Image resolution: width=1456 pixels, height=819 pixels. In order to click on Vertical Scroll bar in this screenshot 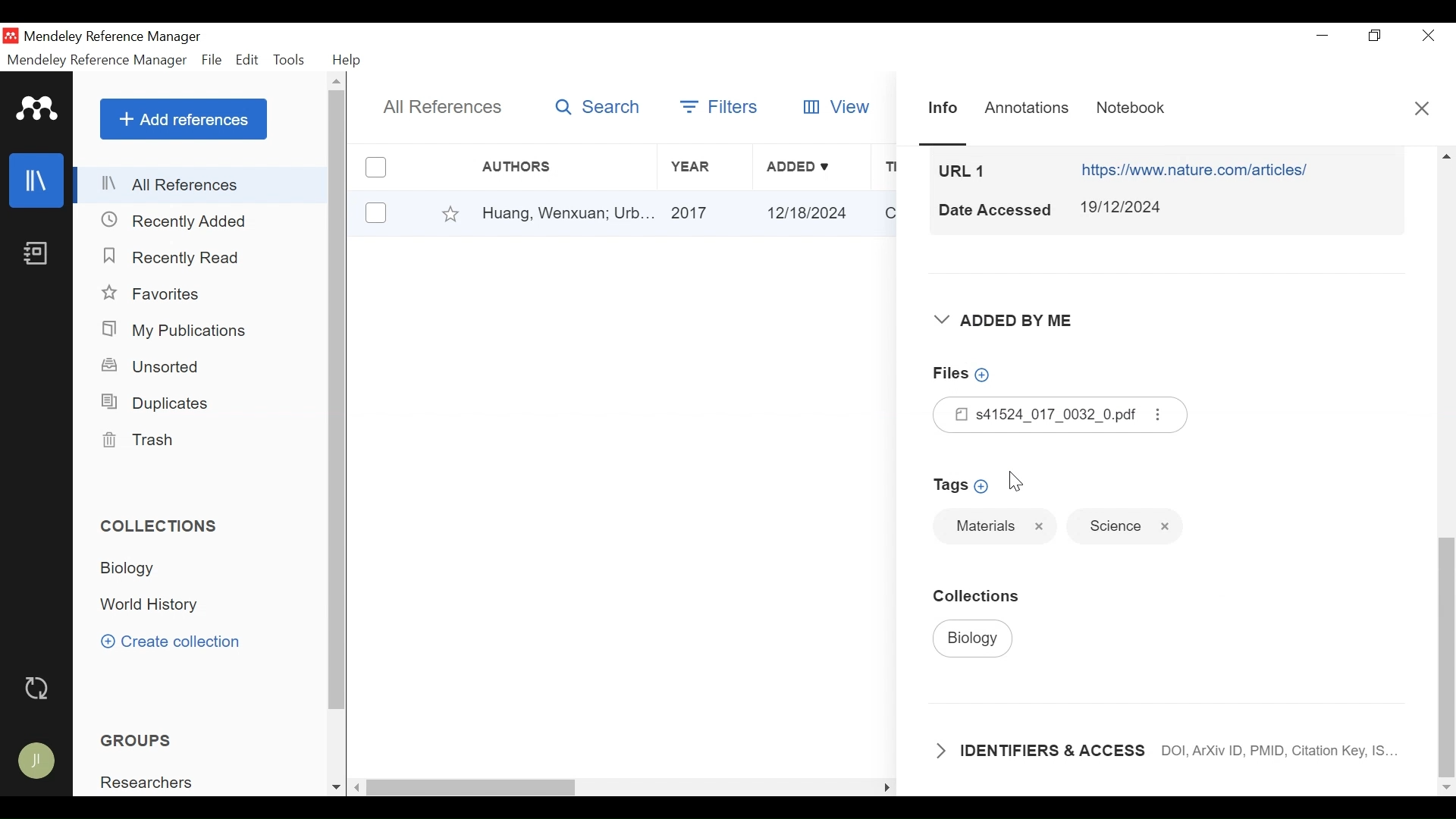, I will do `click(472, 788)`.